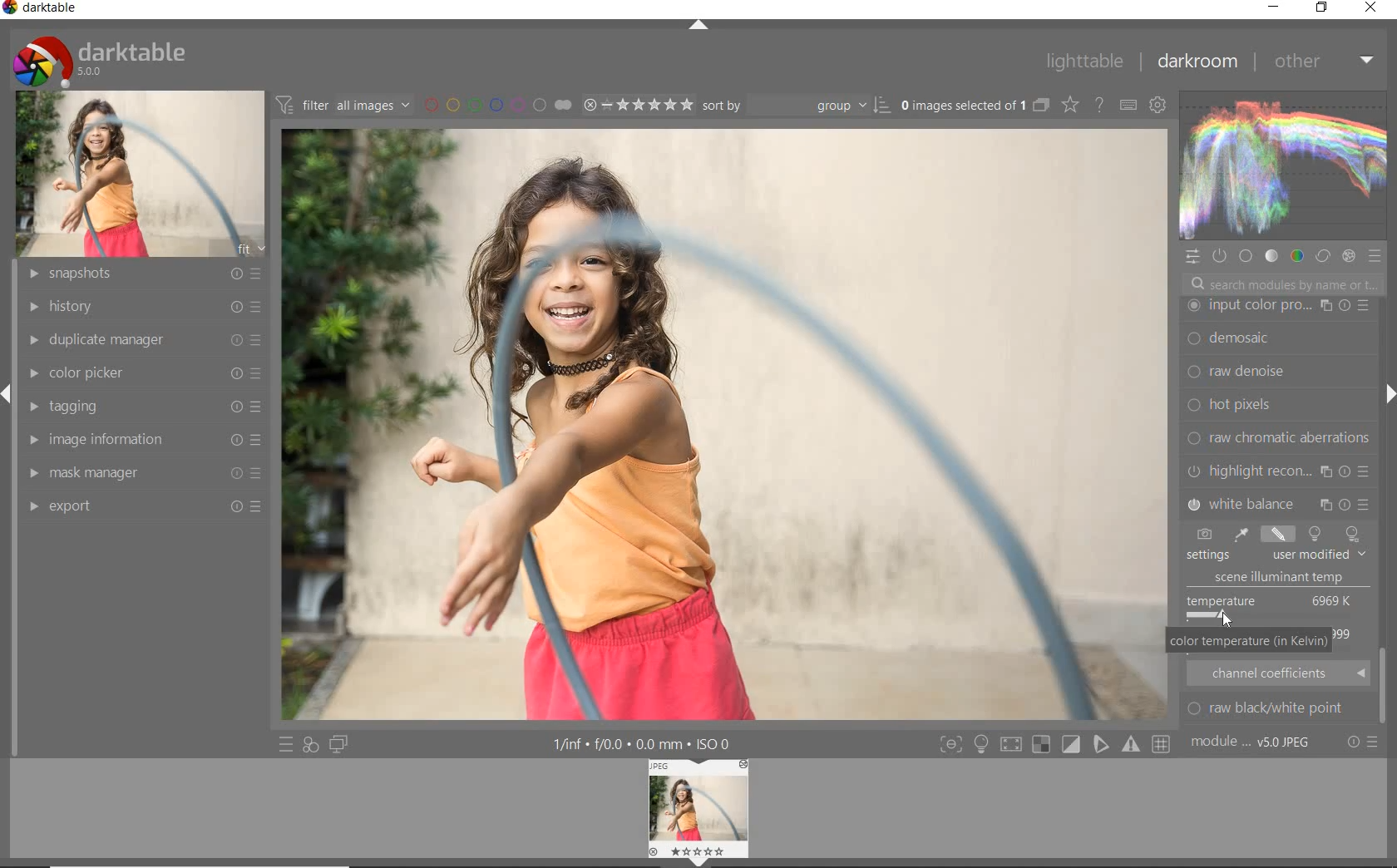 The width and height of the screenshot is (1397, 868). Describe the element at coordinates (142, 469) in the screenshot. I see `mask manager` at that location.